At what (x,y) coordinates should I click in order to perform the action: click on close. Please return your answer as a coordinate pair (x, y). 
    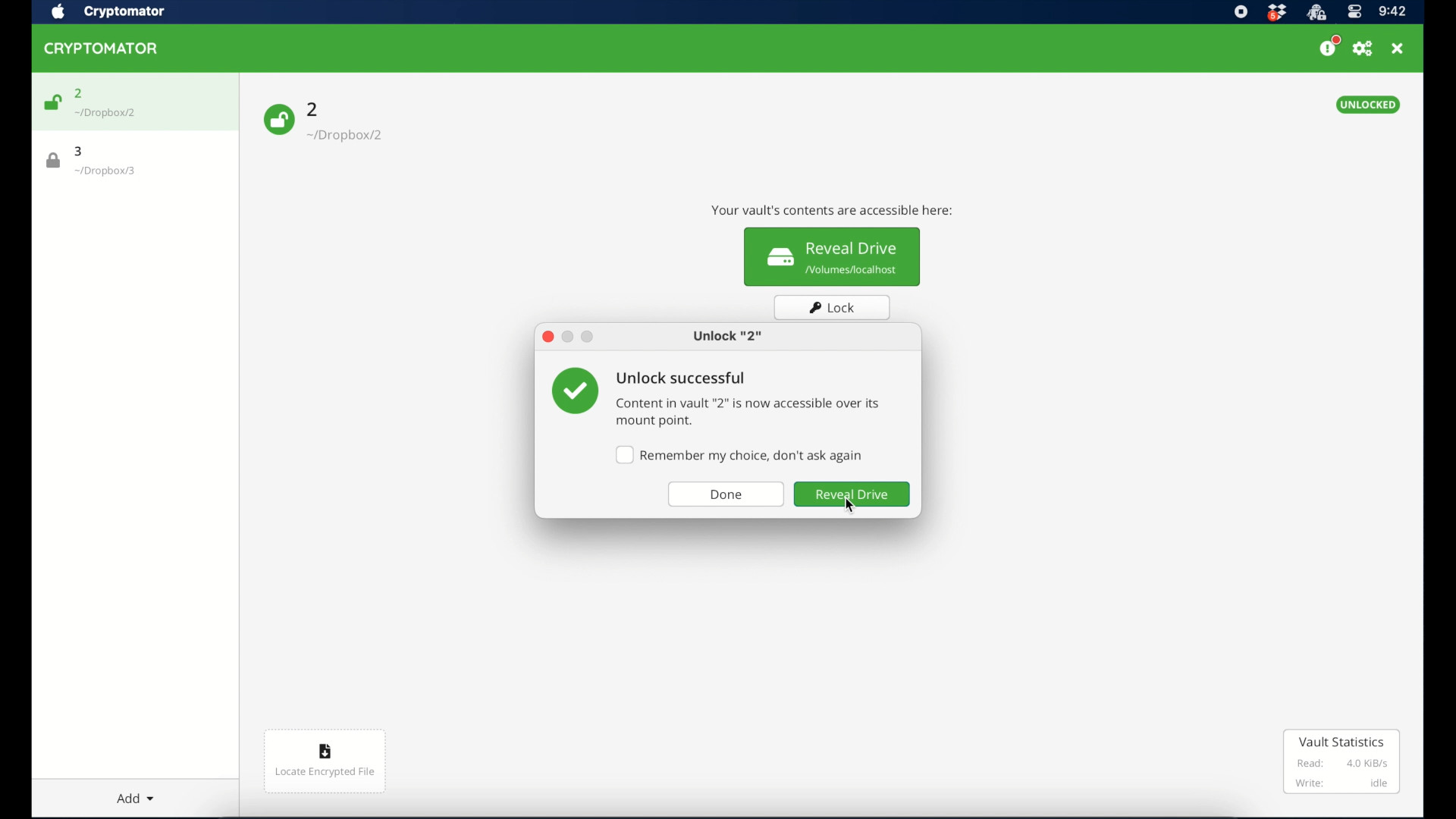
    Looking at the image, I should click on (1398, 49).